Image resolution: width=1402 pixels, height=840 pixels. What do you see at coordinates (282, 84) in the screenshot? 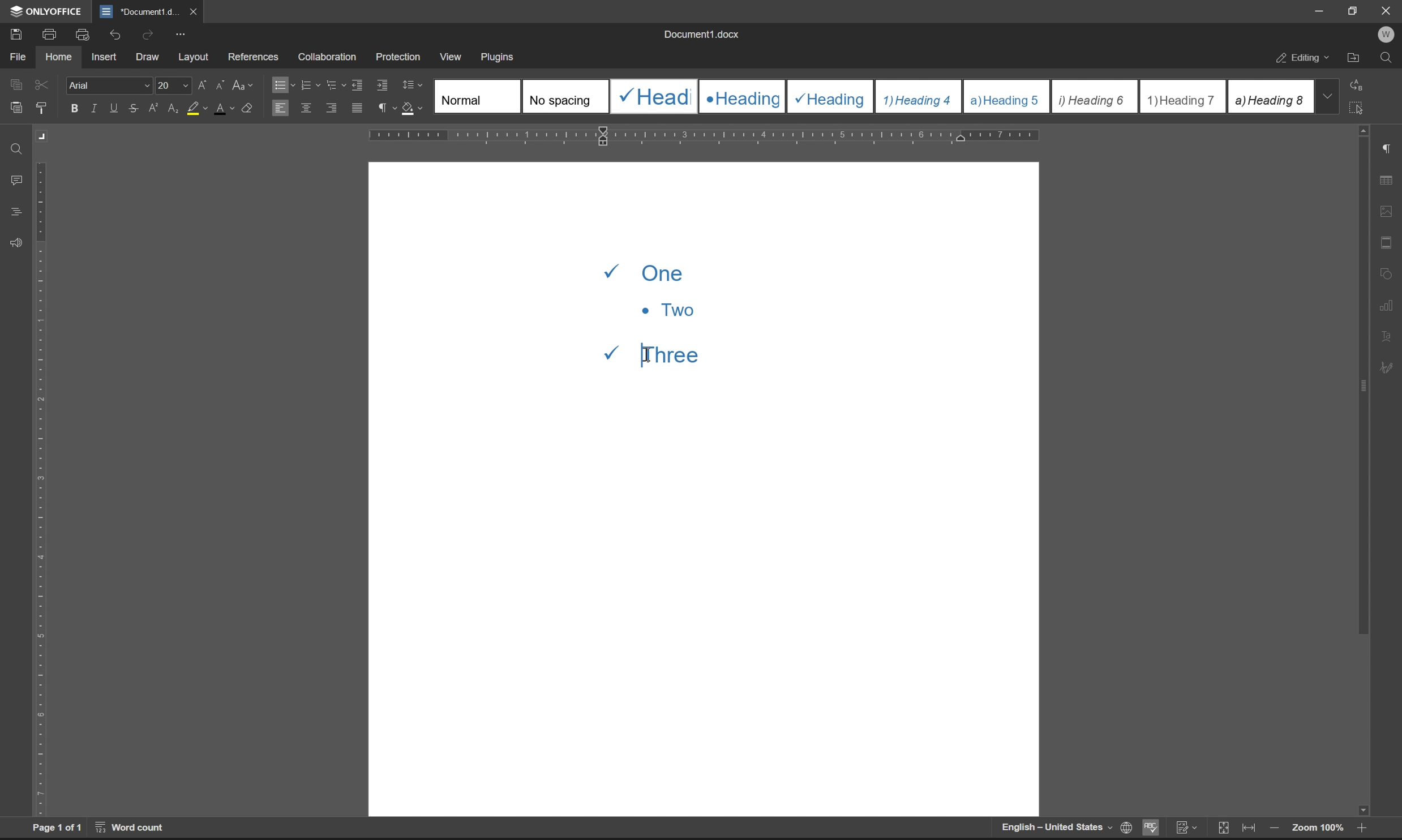
I see `bullets` at bounding box center [282, 84].